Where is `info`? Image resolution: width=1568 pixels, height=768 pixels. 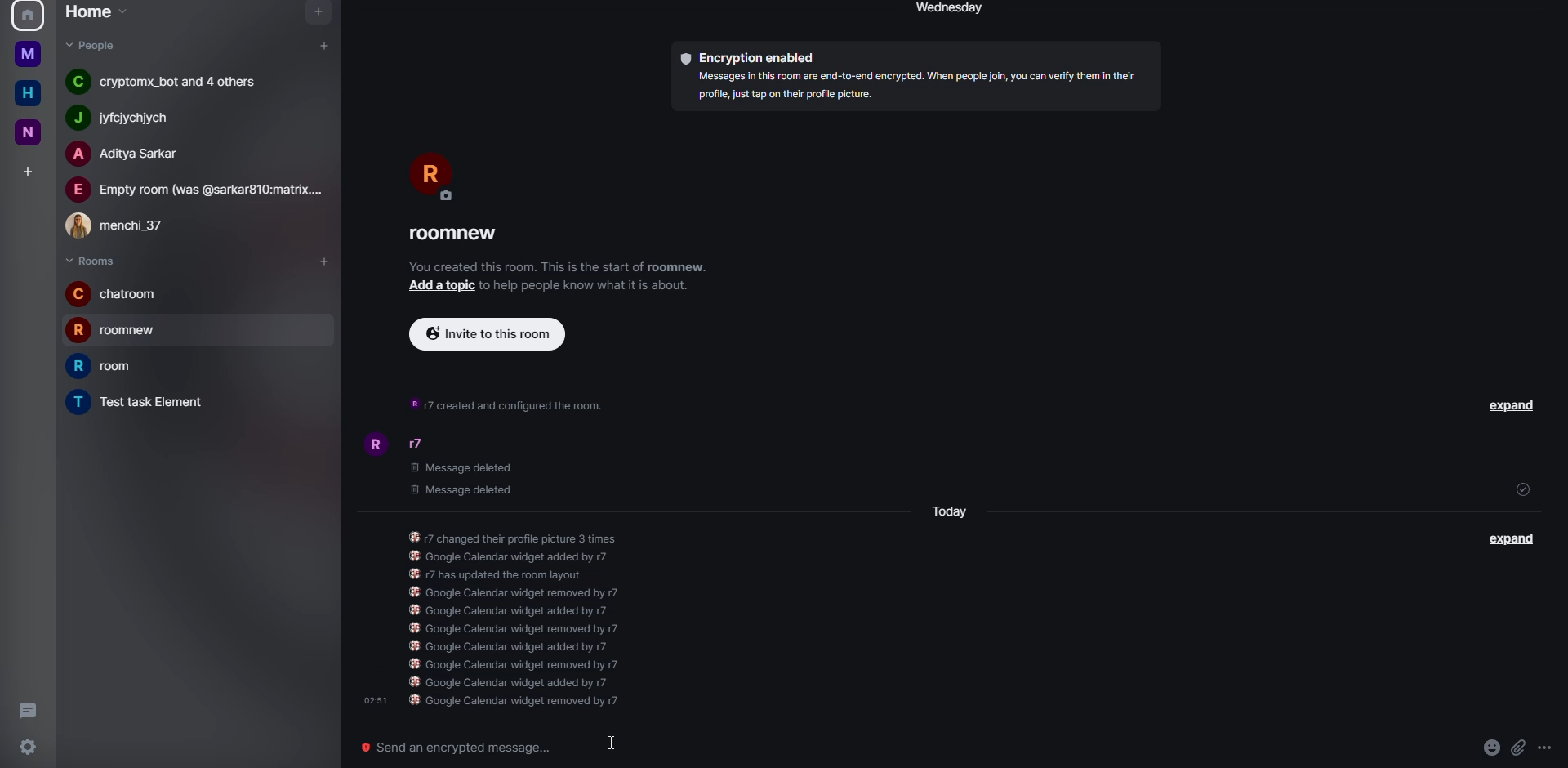
info is located at coordinates (918, 87).